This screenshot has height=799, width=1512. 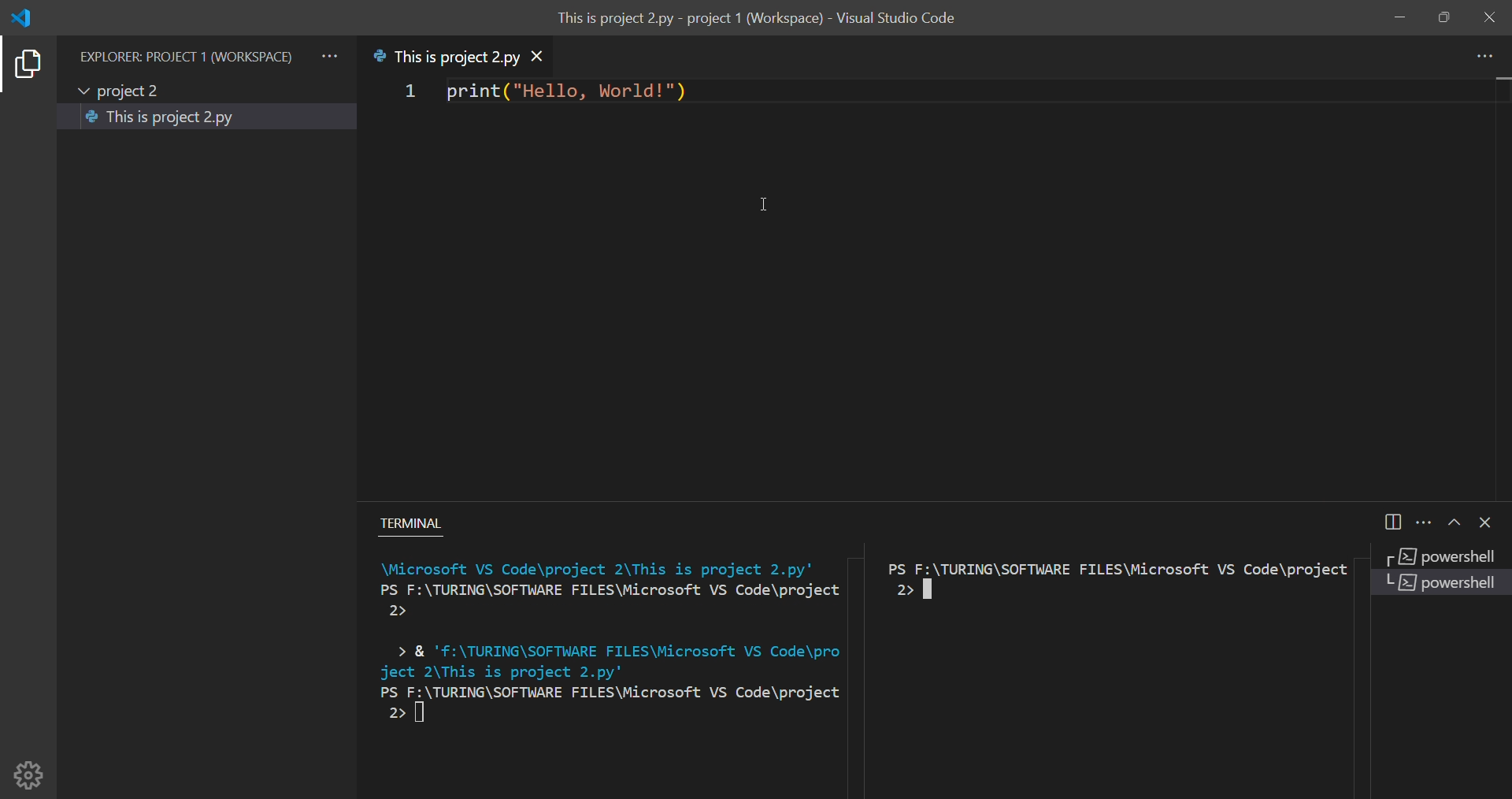 I want to click on maximize panel, so click(x=1451, y=523).